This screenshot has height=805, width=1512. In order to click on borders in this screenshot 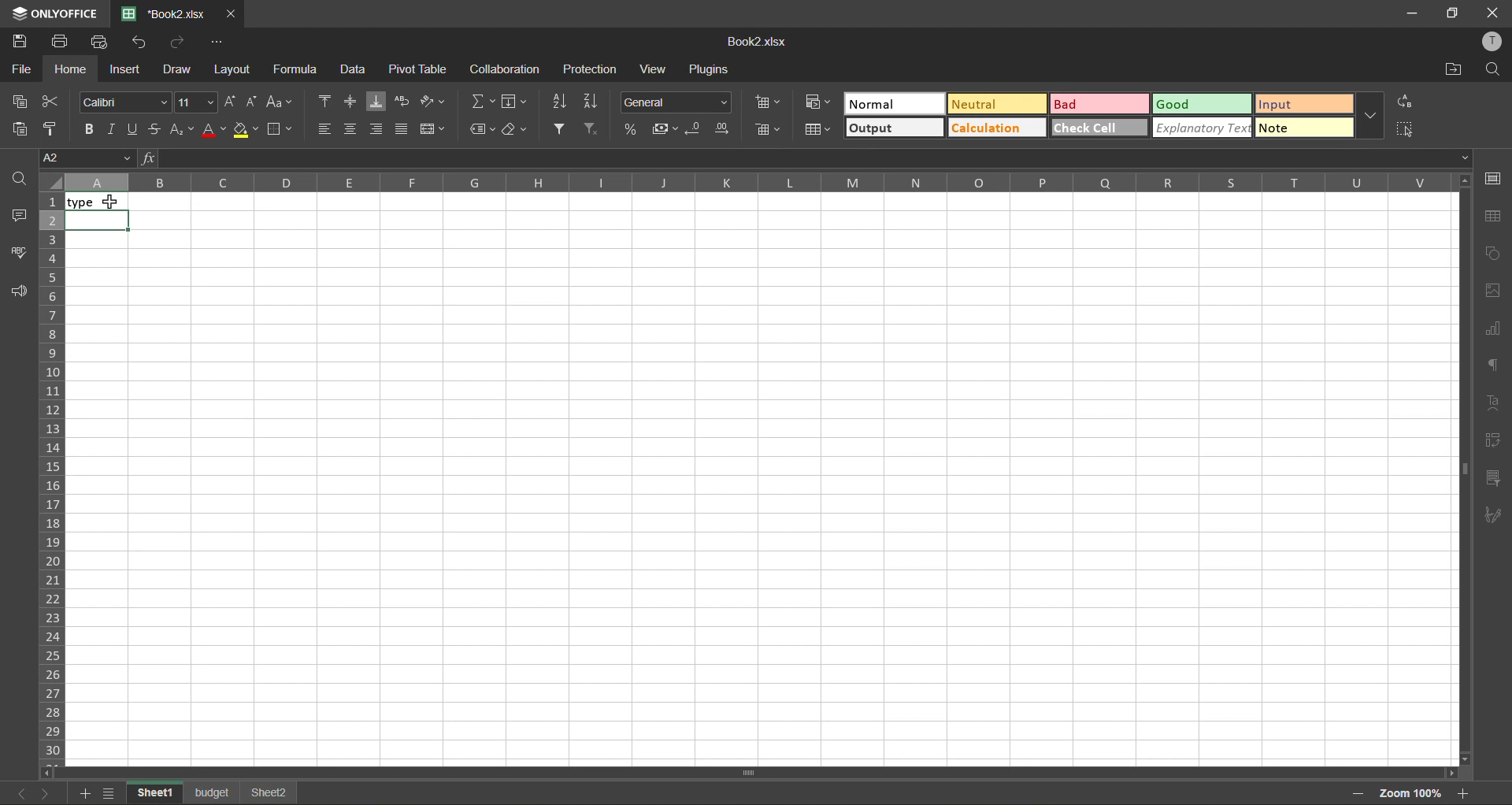, I will do `click(281, 129)`.